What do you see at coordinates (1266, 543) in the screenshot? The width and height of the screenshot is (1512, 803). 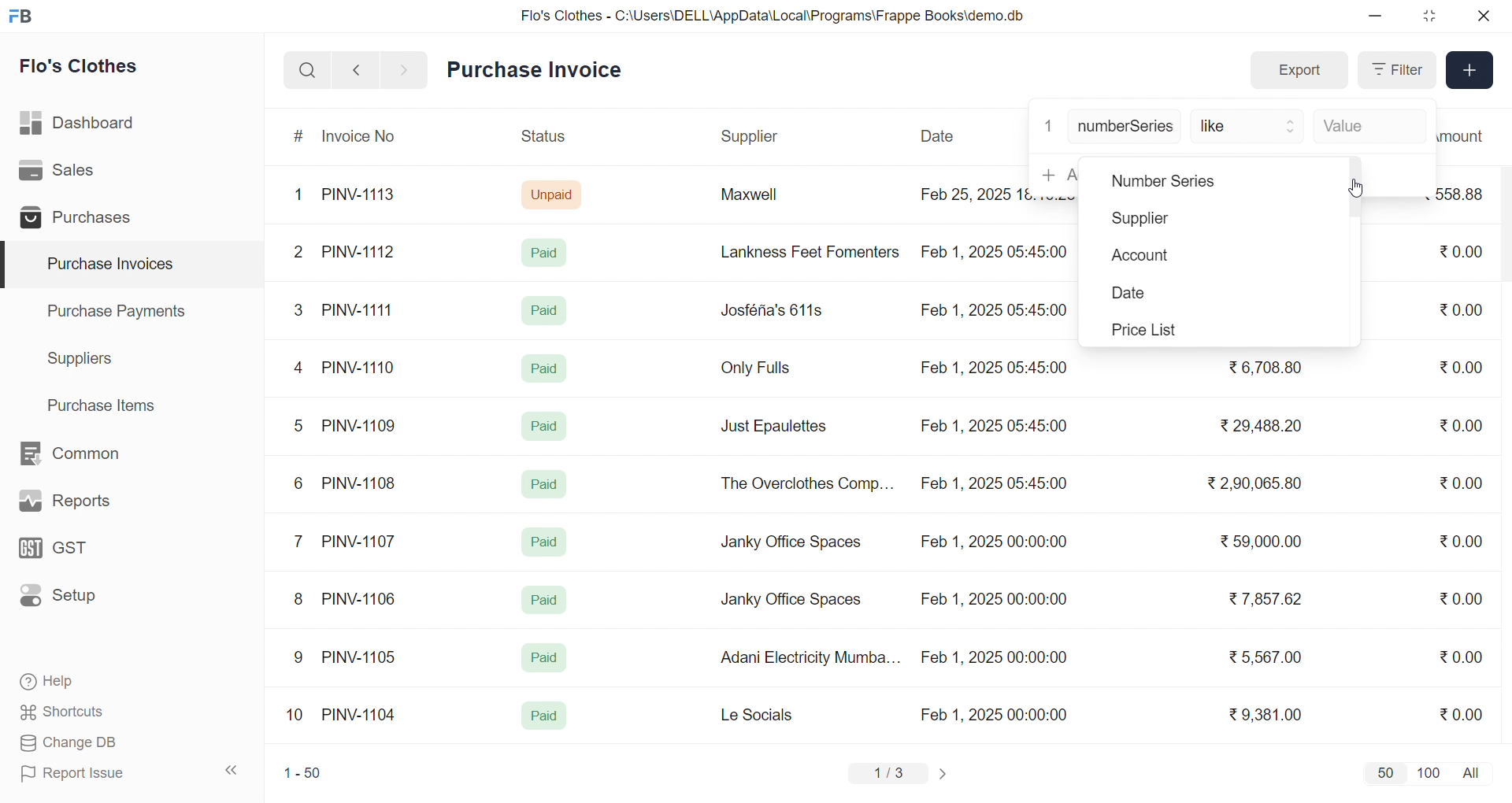 I see `₹ 59,000.00` at bounding box center [1266, 543].